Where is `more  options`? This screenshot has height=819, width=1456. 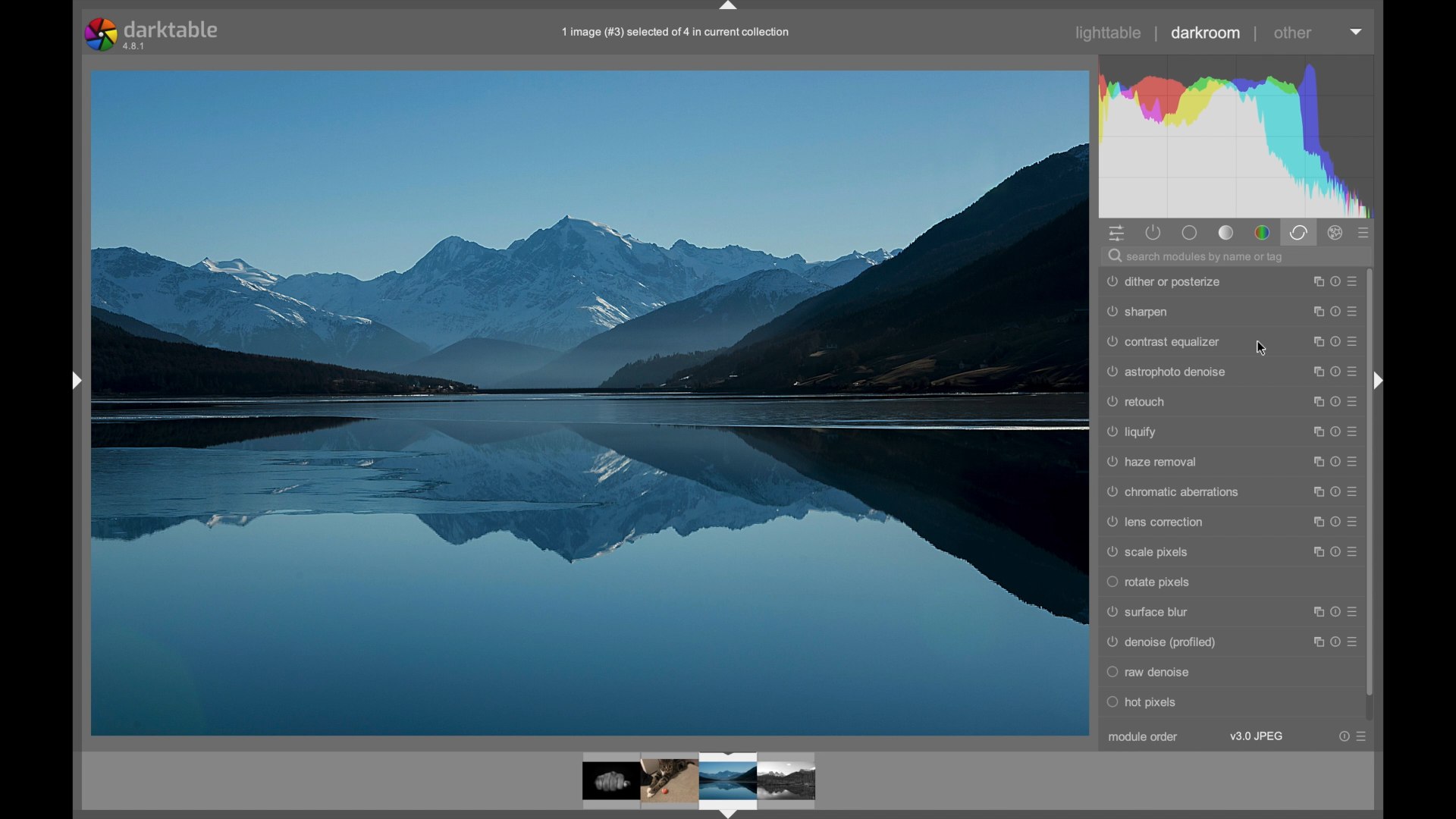 more  options is located at coordinates (1335, 522).